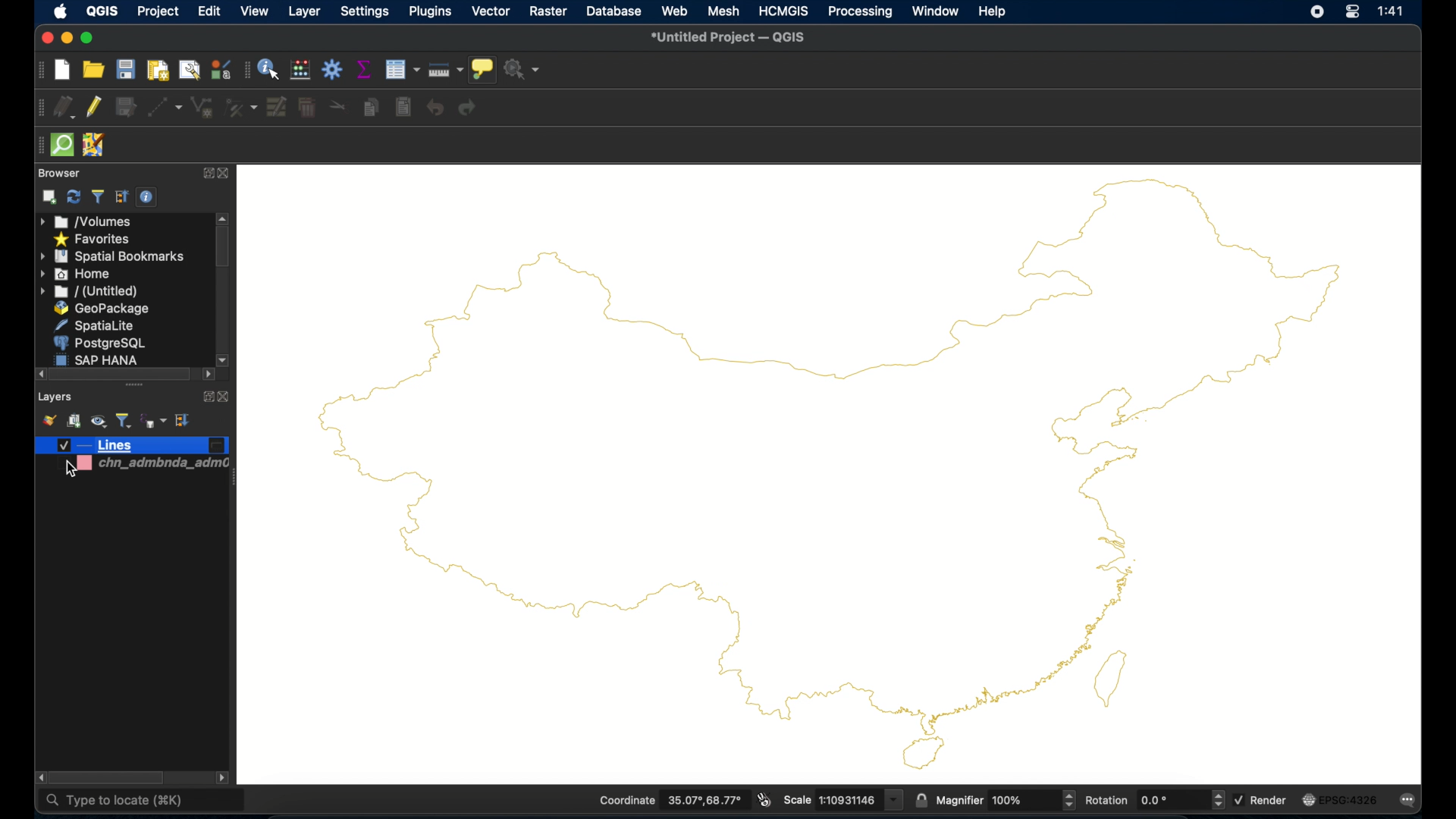  Describe the element at coordinates (95, 145) in the screenshot. I see `jsomremote` at that location.